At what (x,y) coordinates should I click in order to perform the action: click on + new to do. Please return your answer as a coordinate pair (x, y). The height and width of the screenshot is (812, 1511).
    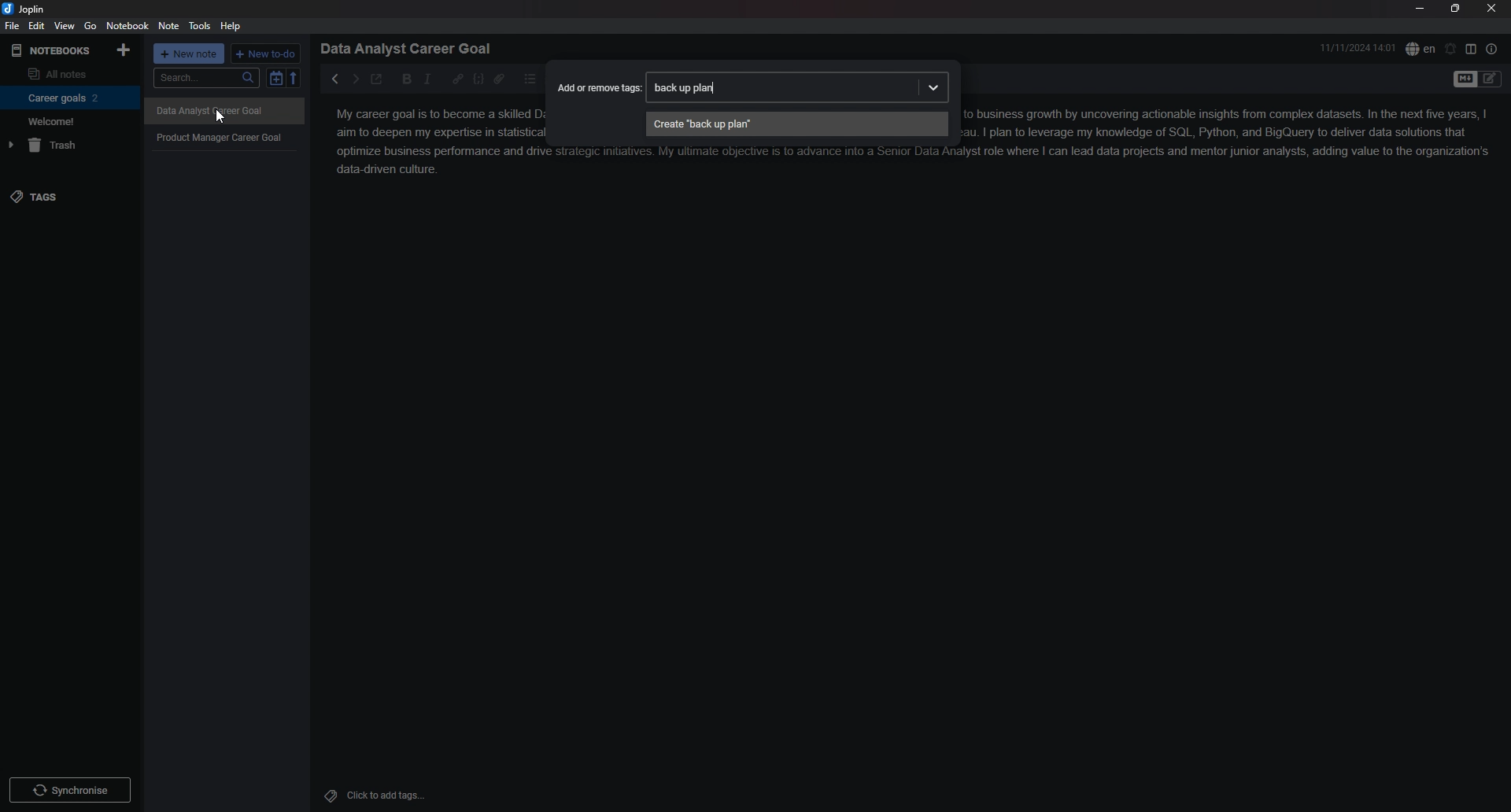
    Looking at the image, I should click on (264, 54).